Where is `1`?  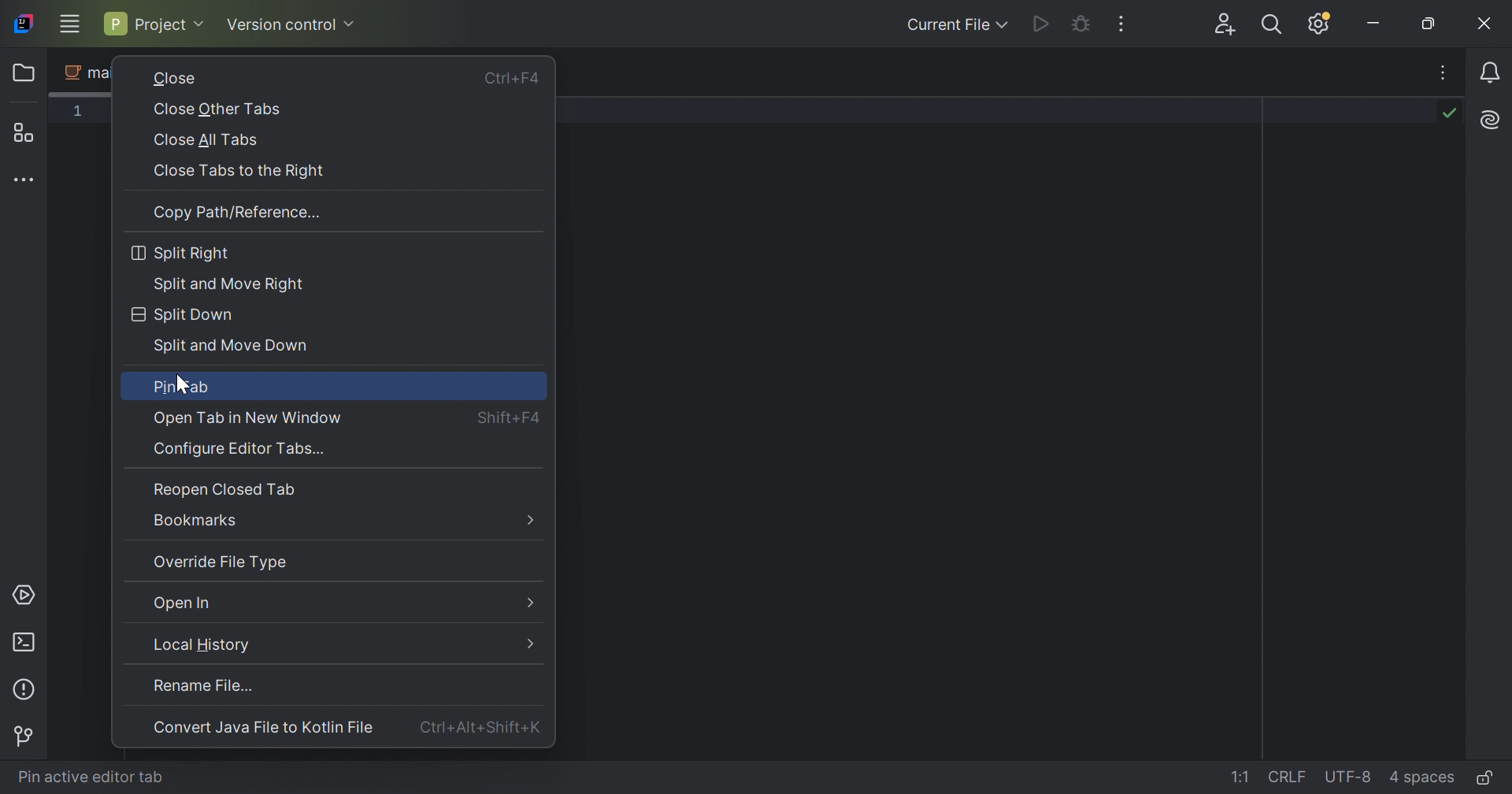 1 is located at coordinates (79, 110).